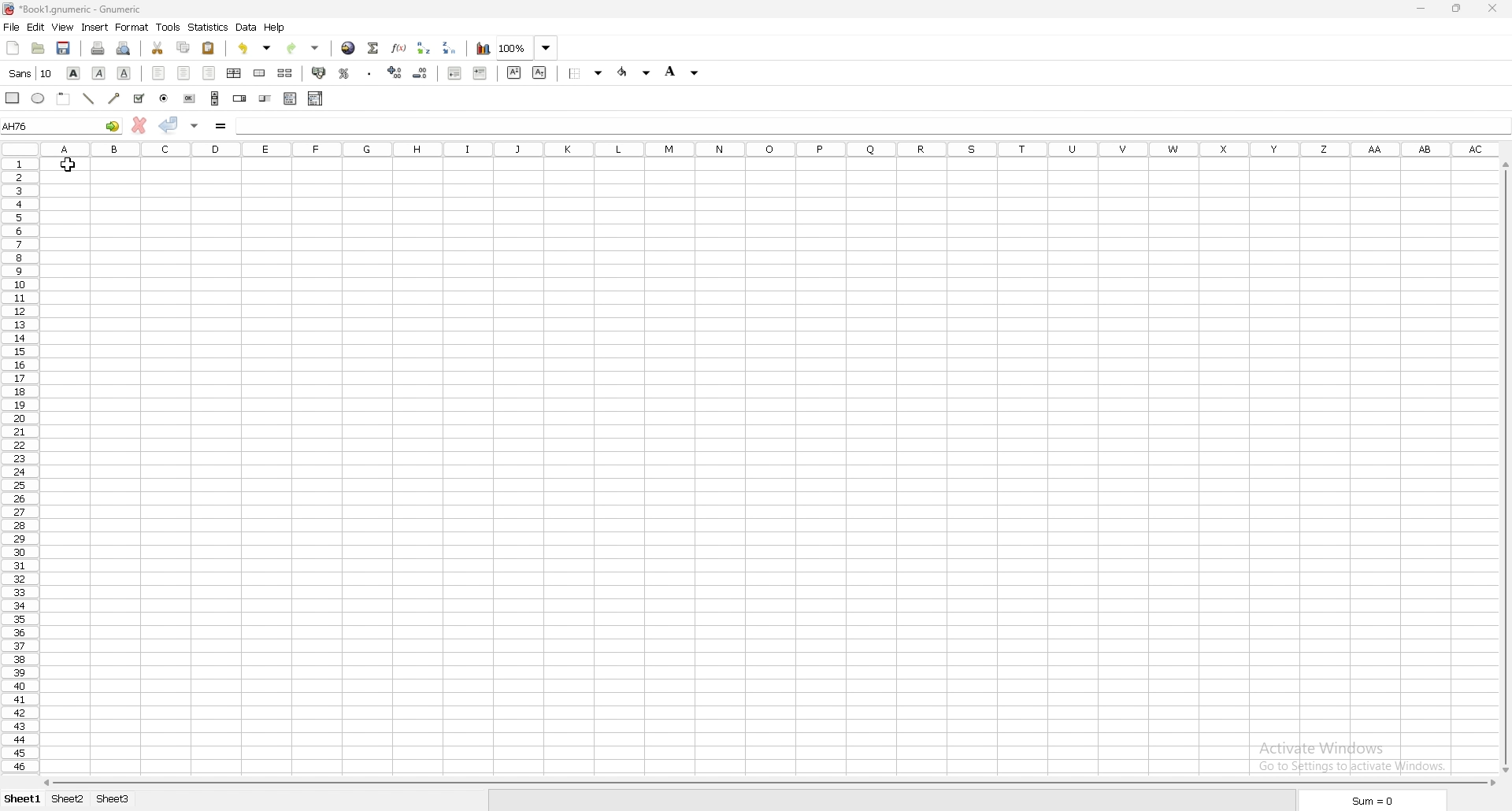 The image size is (1512, 811). What do you see at coordinates (234, 73) in the screenshot?
I see `center horizontally` at bounding box center [234, 73].